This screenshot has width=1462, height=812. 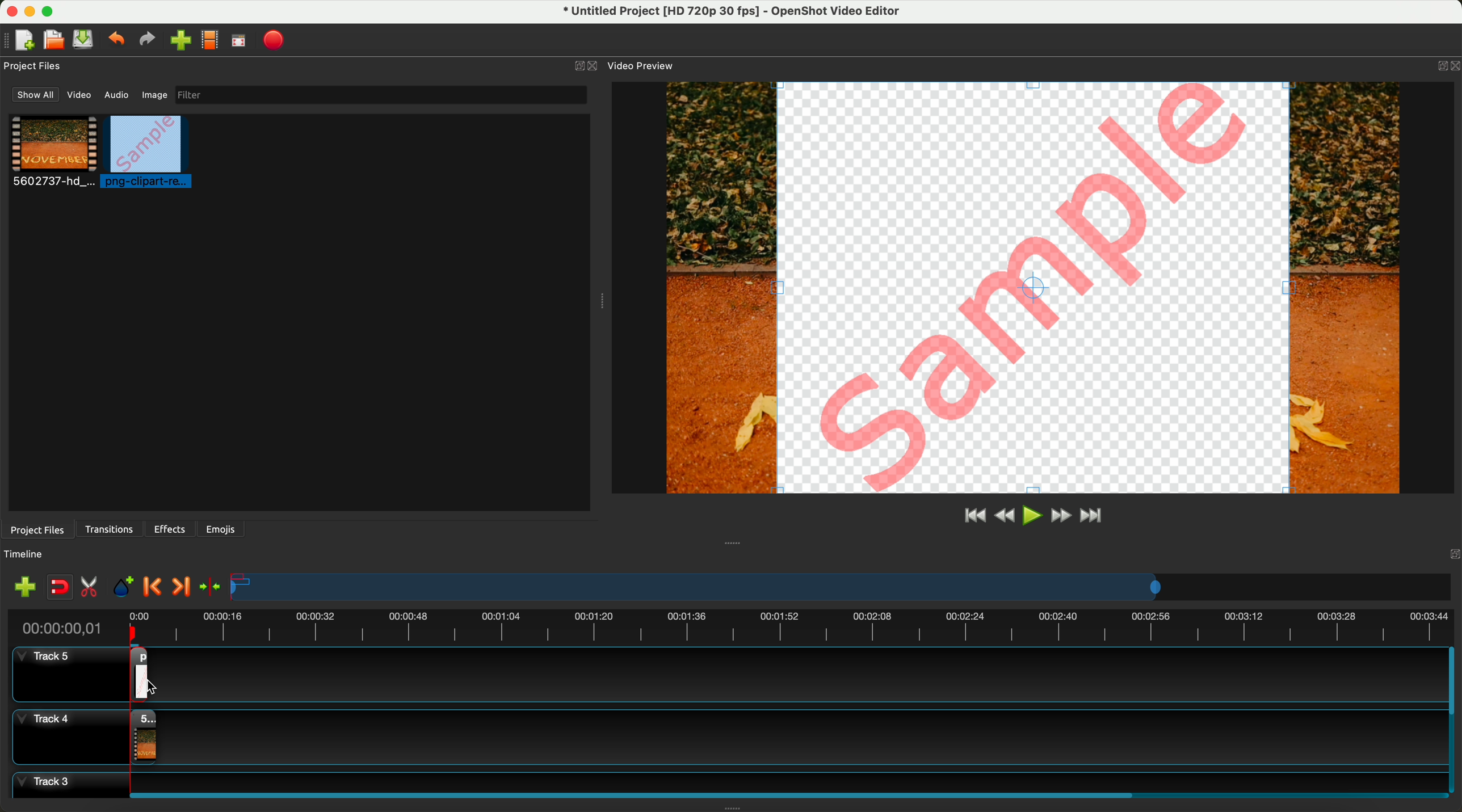 I want to click on play, so click(x=1032, y=515).